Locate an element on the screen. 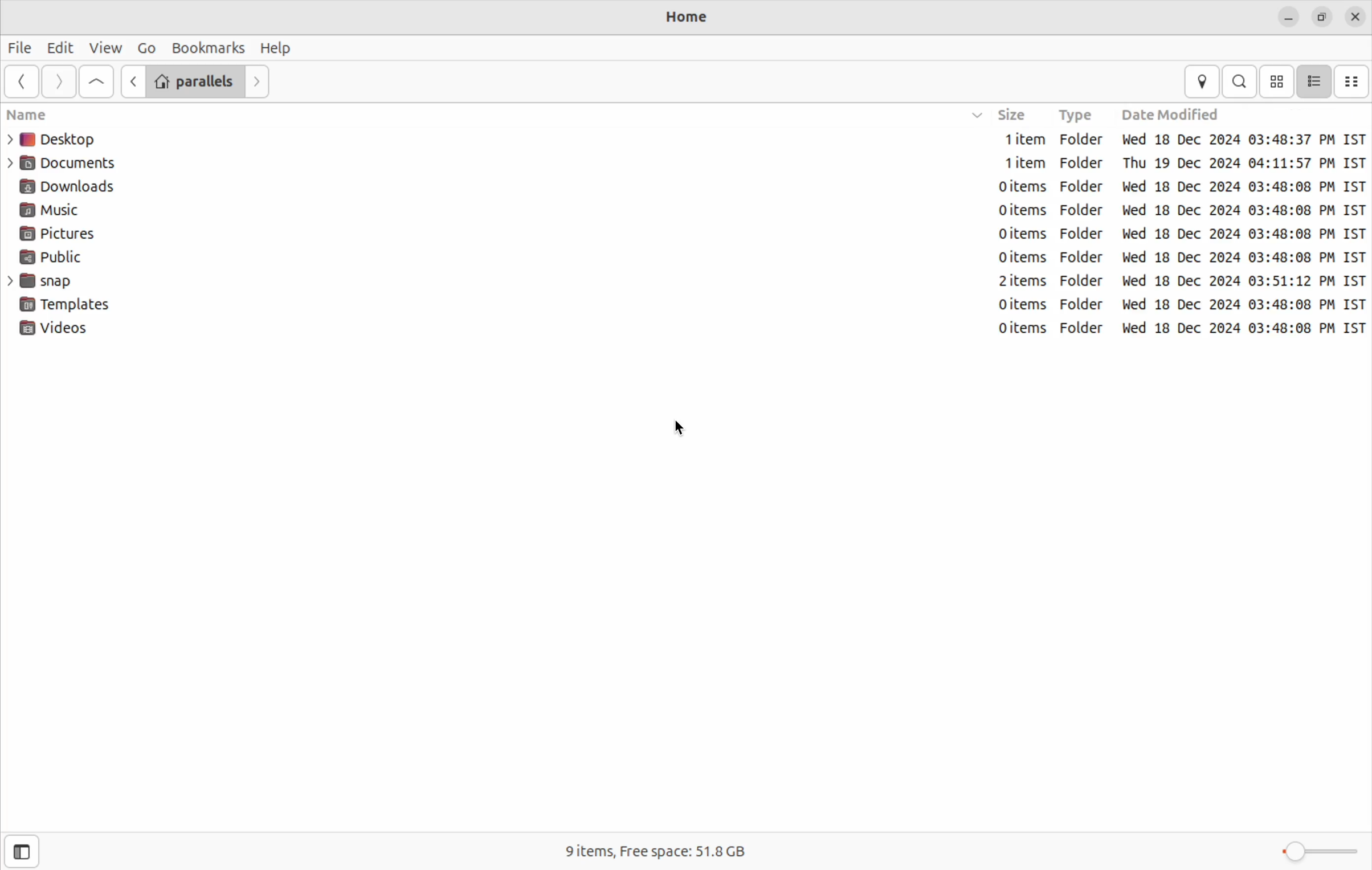 This screenshot has height=870, width=1372. 0 items is located at coordinates (1016, 330).